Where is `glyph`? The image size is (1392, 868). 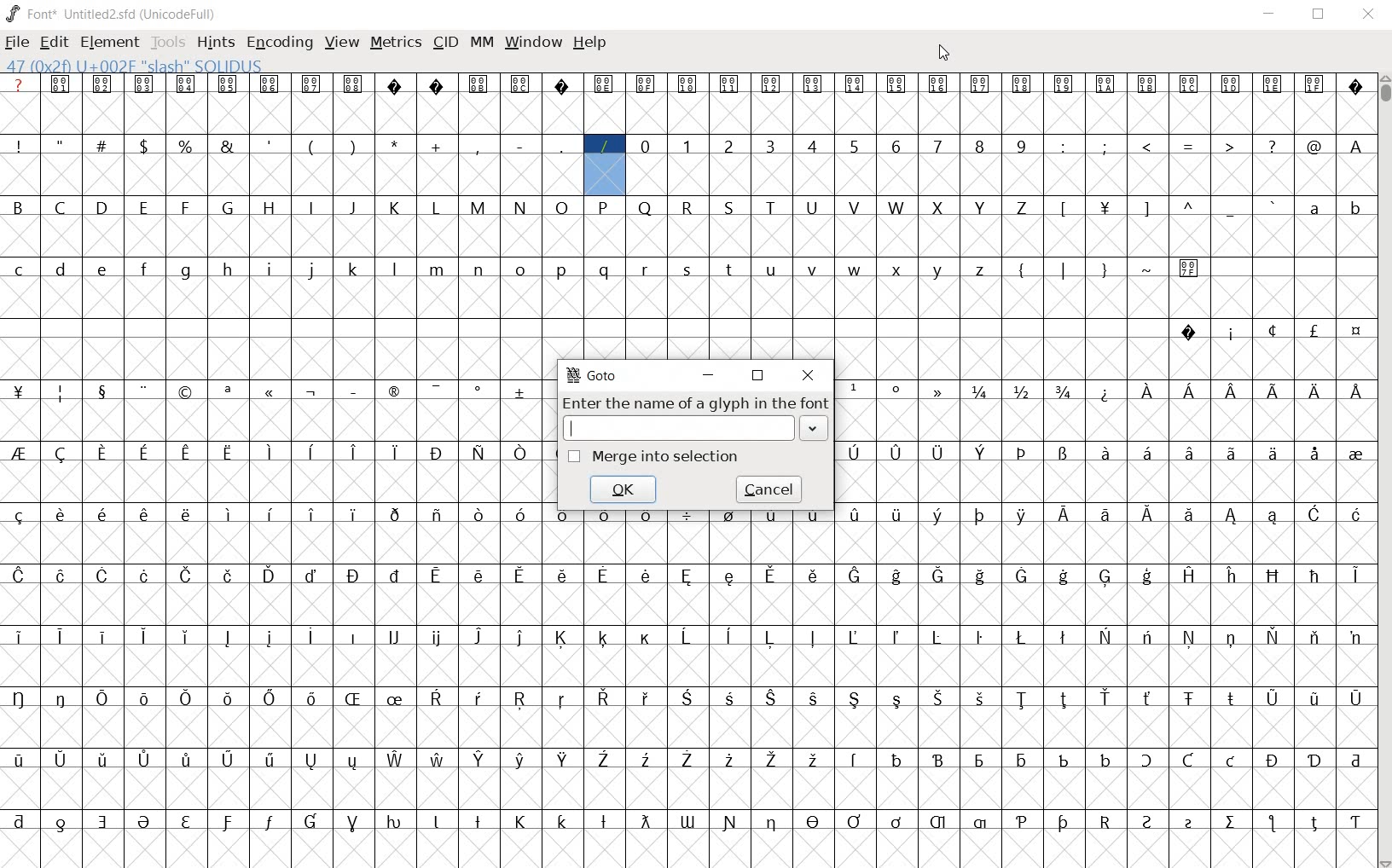
glyph is located at coordinates (481, 576).